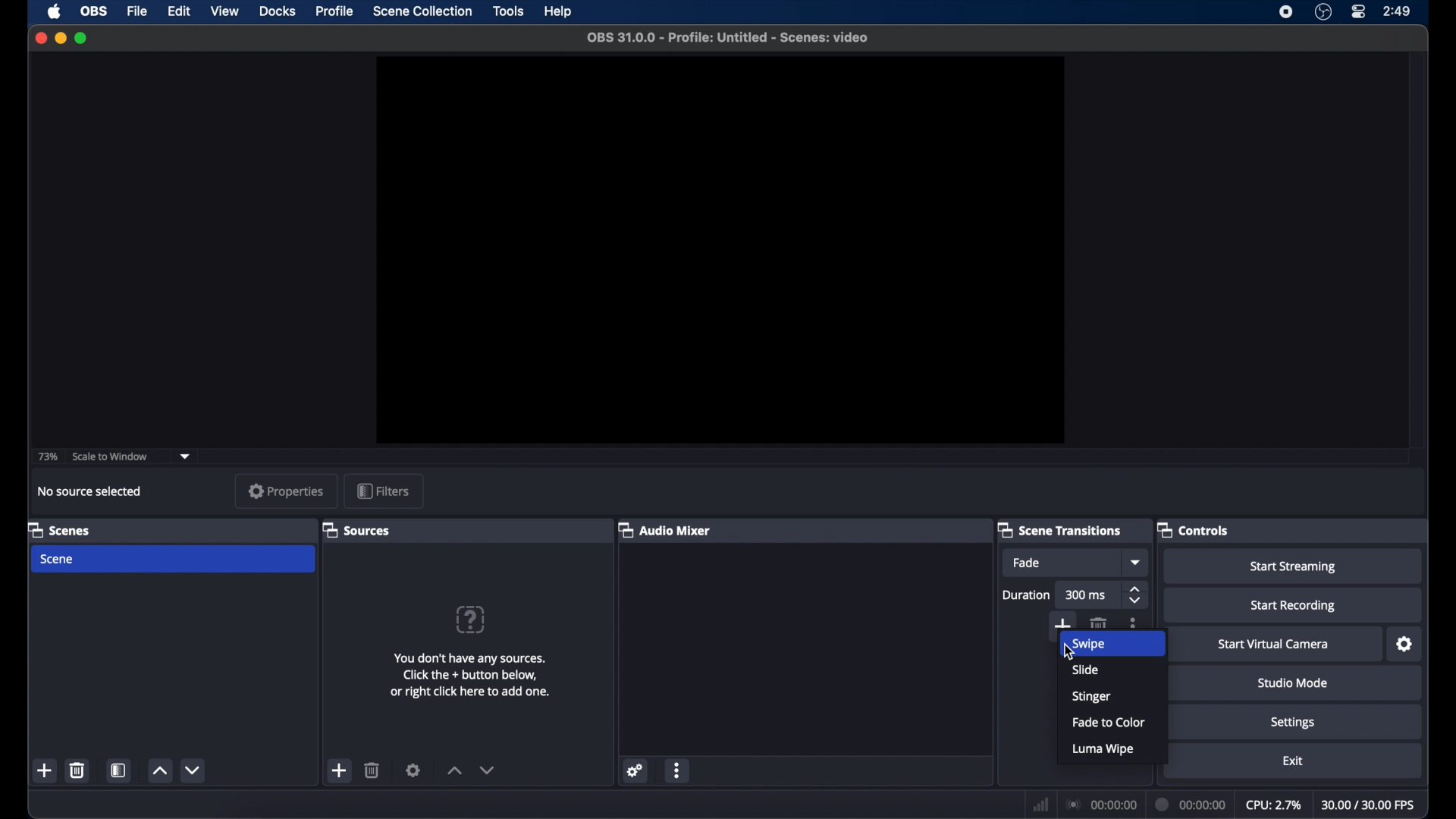 This screenshot has width=1456, height=819. What do you see at coordinates (278, 11) in the screenshot?
I see `docks` at bounding box center [278, 11].